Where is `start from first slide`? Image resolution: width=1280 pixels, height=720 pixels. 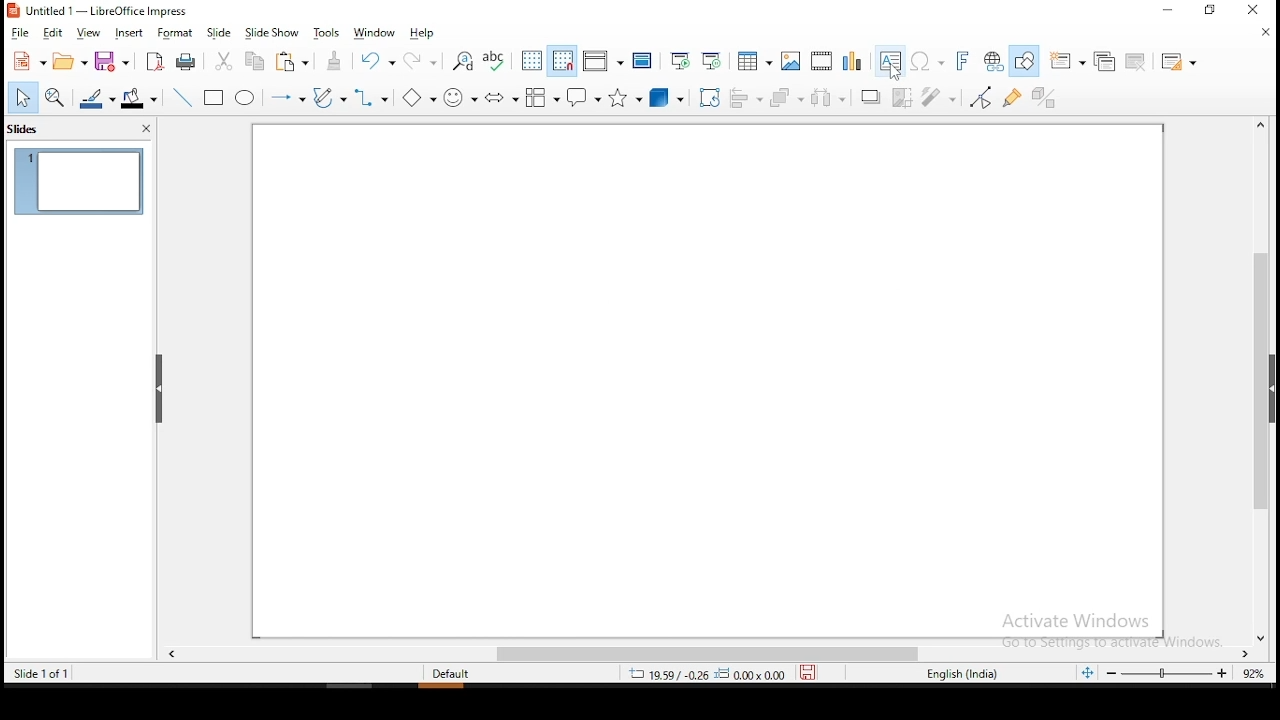
start from first slide is located at coordinates (683, 61).